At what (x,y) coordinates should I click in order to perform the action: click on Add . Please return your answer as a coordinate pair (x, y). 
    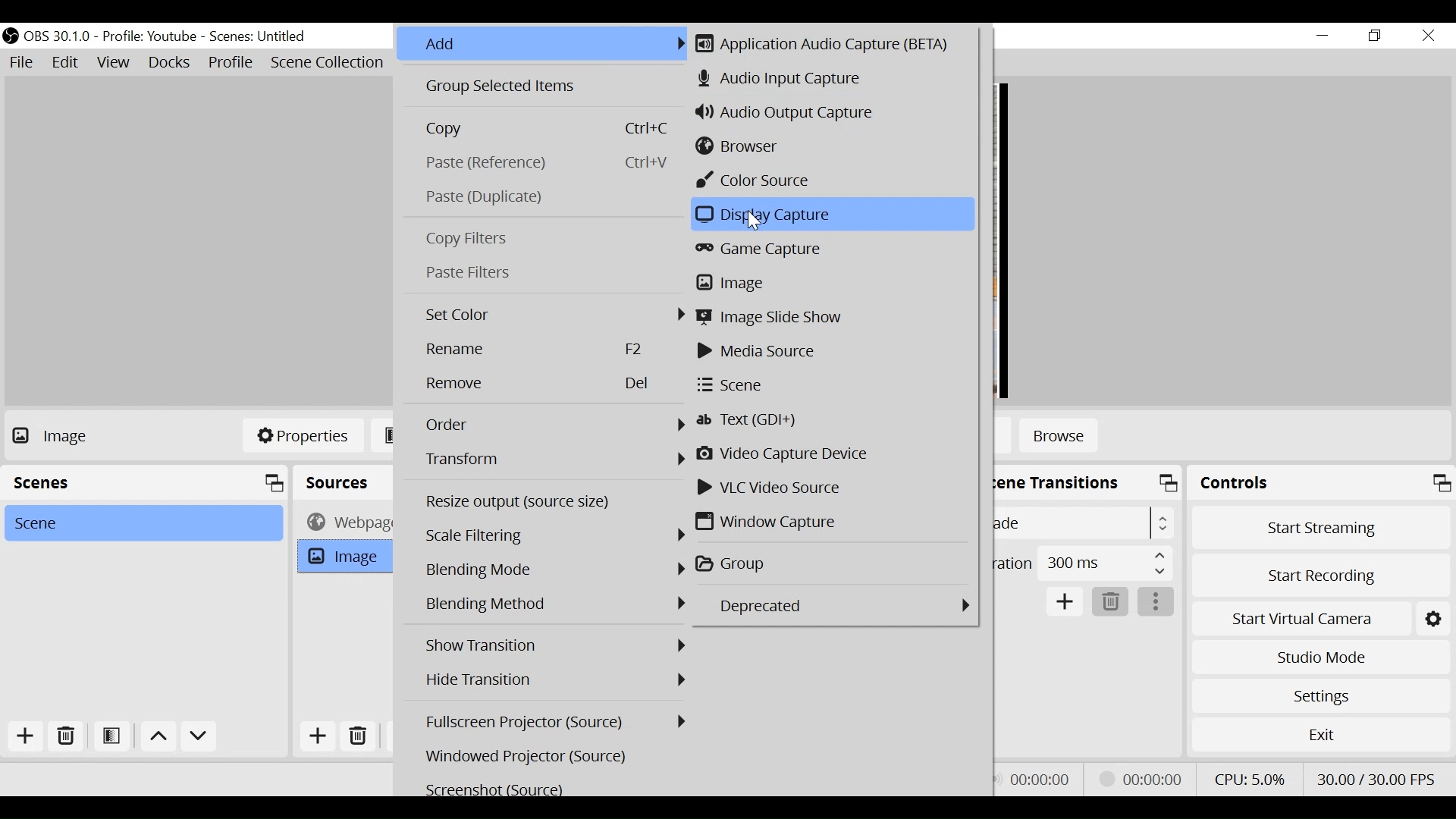
    Looking at the image, I should click on (1065, 602).